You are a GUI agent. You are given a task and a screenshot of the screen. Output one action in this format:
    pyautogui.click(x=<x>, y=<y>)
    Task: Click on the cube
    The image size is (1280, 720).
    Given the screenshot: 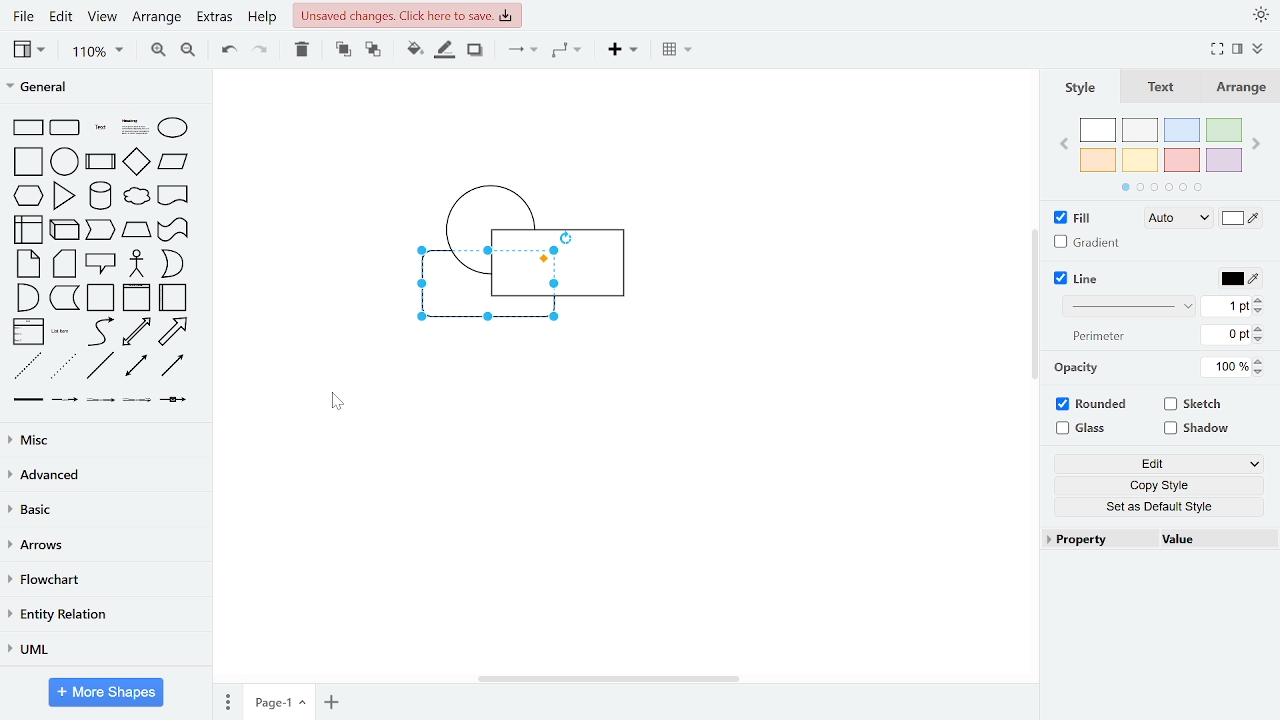 What is the action you would take?
    pyautogui.click(x=66, y=231)
    